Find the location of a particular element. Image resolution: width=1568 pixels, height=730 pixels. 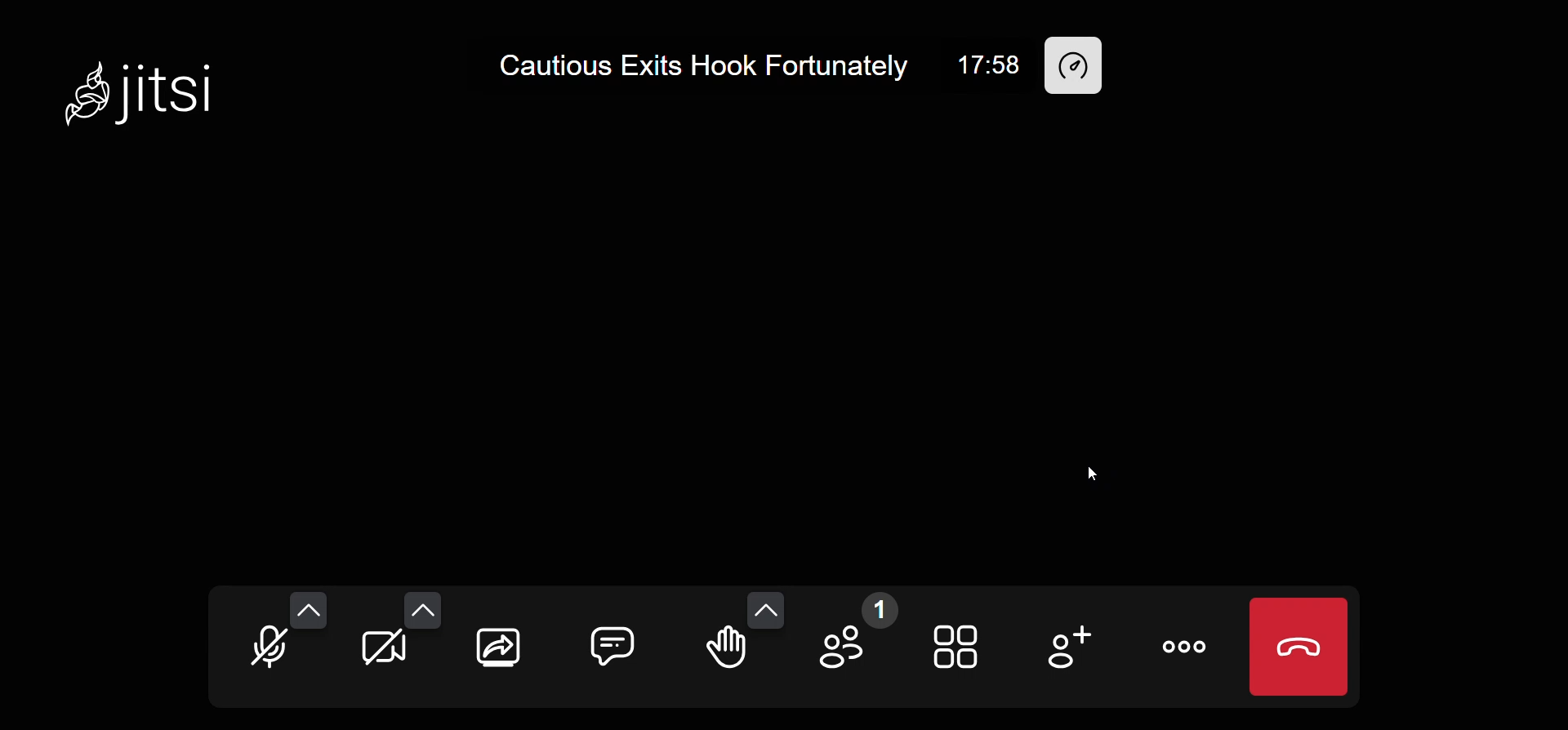

leave meeting is located at coordinates (1297, 647).